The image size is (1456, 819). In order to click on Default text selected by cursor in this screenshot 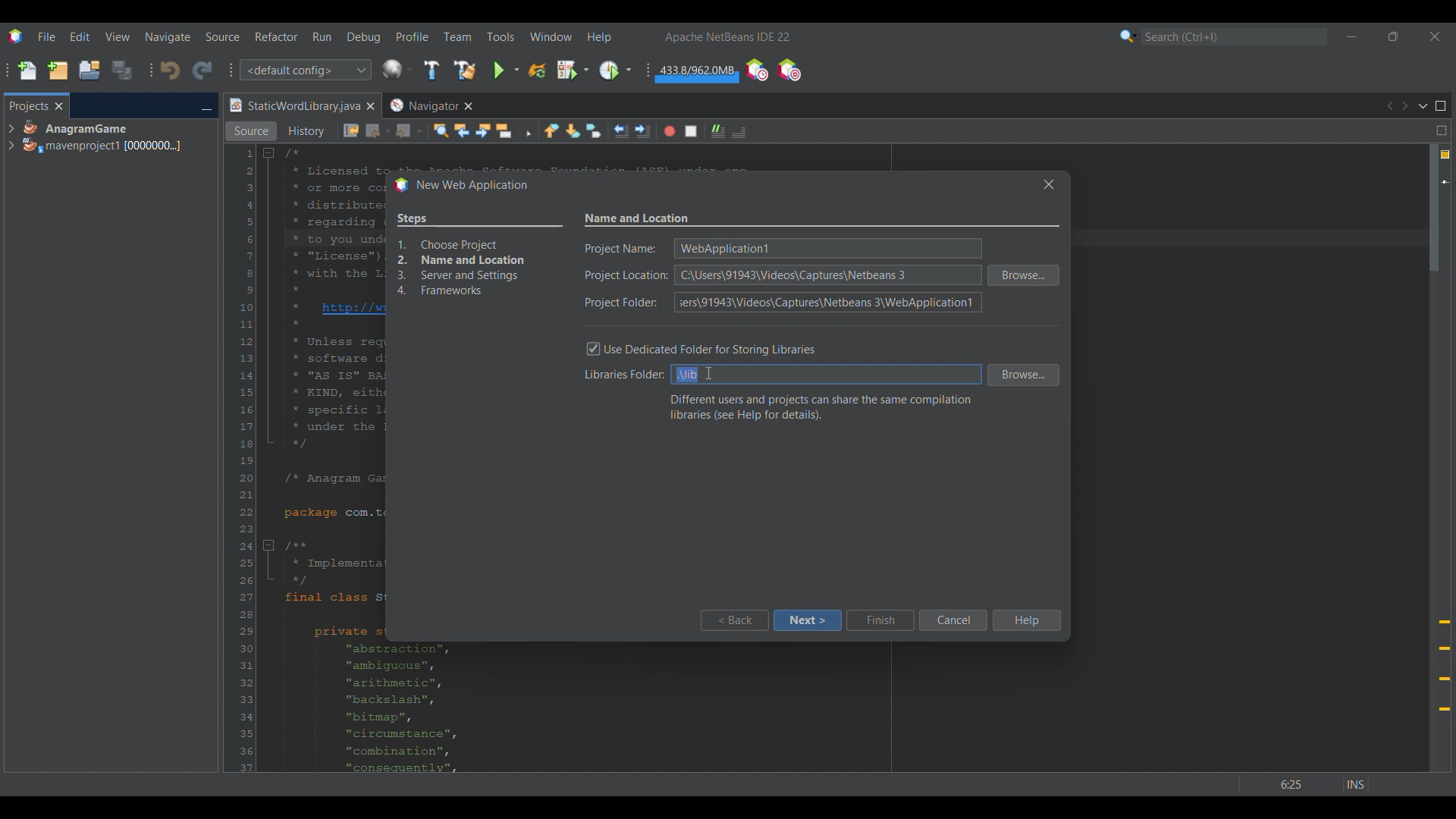, I will do `click(687, 375)`.